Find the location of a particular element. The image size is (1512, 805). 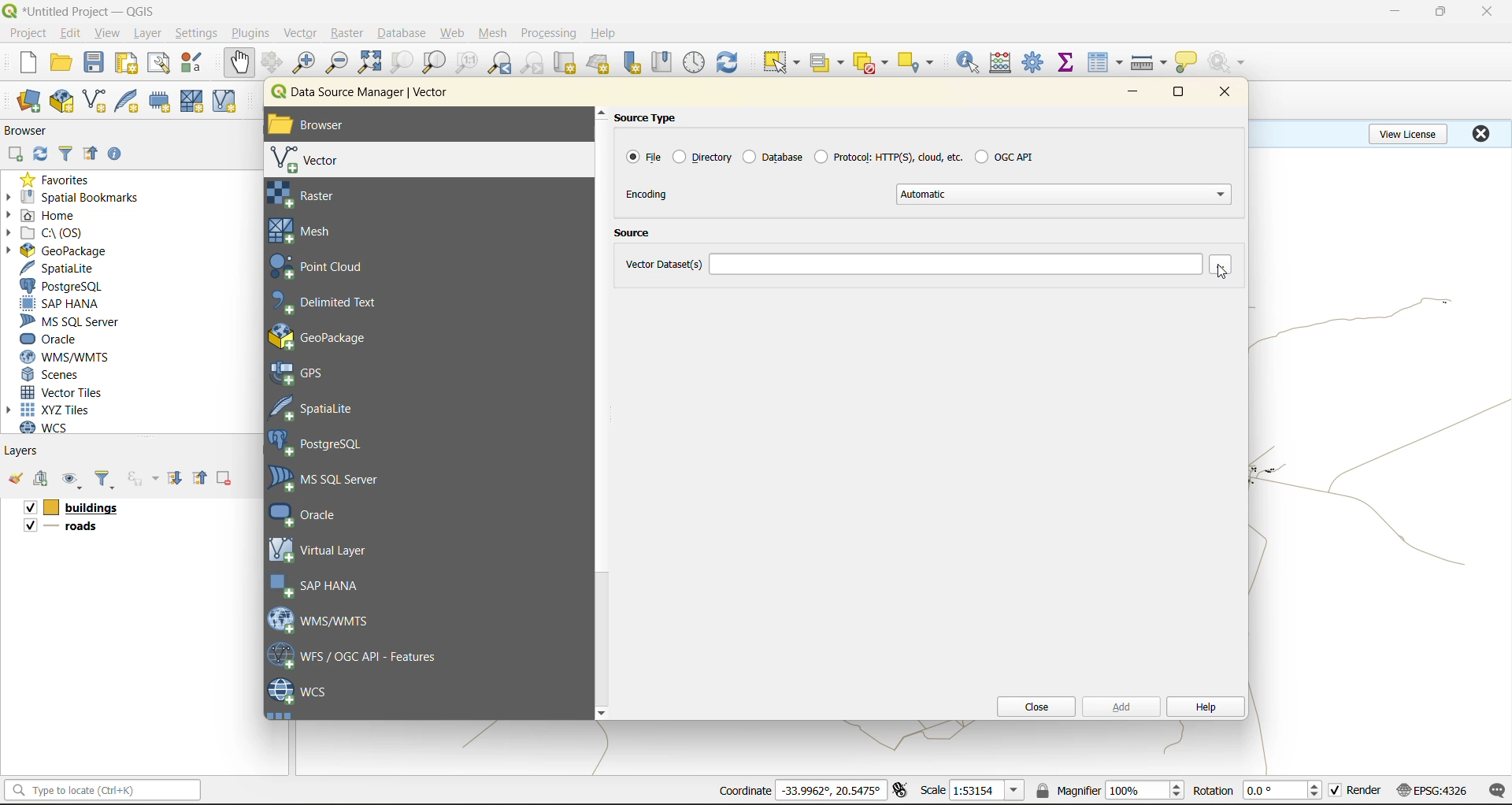

new geopackage layer is located at coordinates (62, 102).